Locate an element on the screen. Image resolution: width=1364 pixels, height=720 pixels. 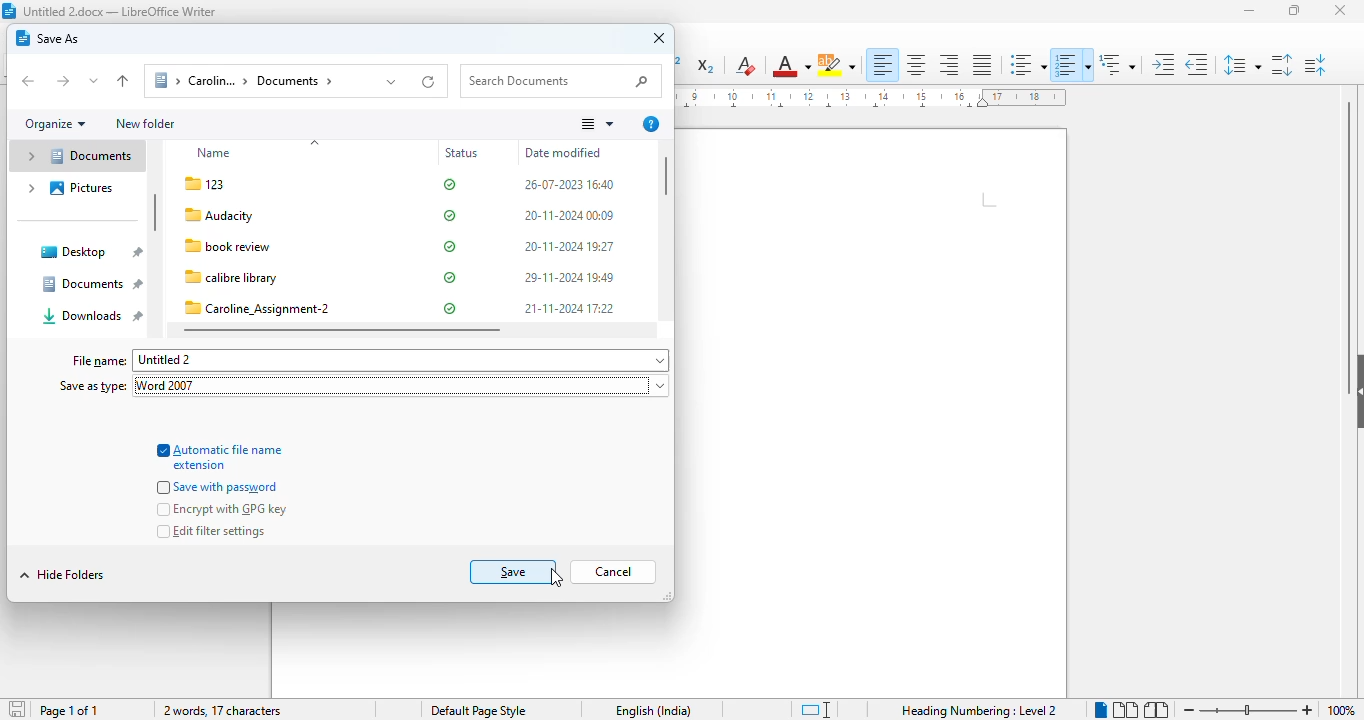
back is located at coordinates (29, 81).